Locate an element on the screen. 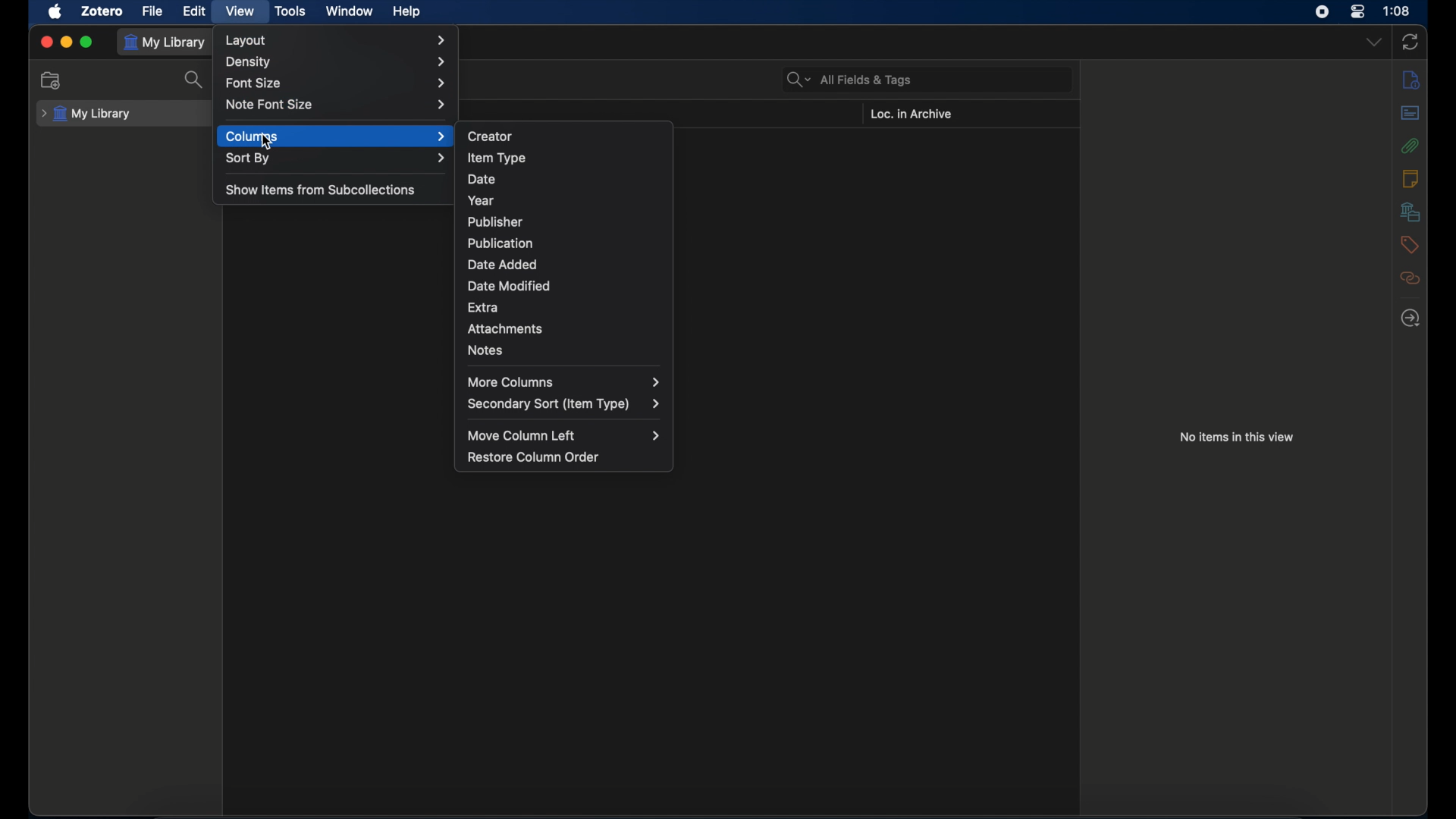 Image resolution: width=1456 pixels, height=819 pixels. font size is located at coordinates (337, 84).